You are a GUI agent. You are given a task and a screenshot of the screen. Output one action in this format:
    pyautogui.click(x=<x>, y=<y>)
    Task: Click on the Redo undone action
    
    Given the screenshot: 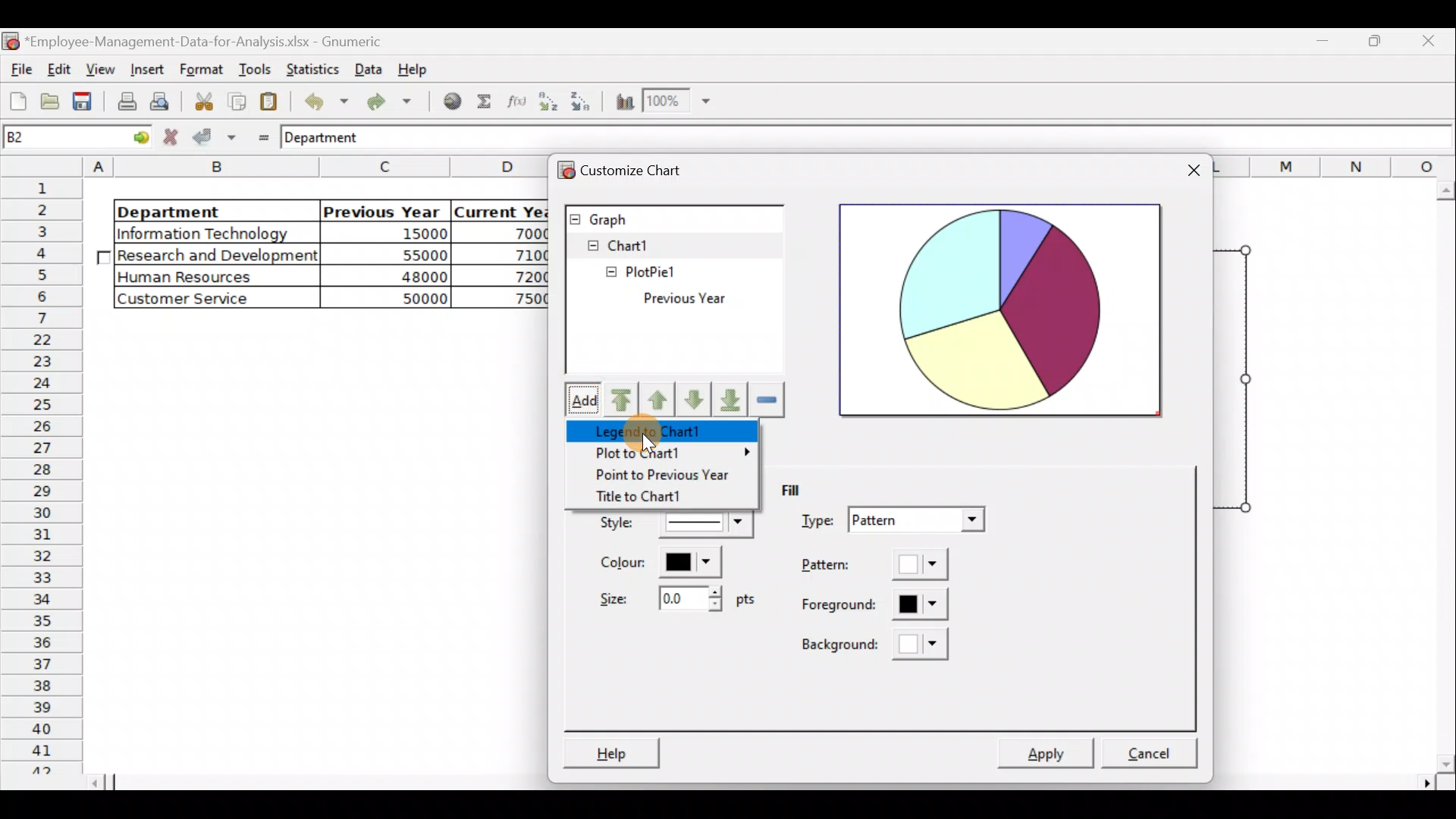 What is the action you would take?
    pyautogui.click(x=394, y=102)
    